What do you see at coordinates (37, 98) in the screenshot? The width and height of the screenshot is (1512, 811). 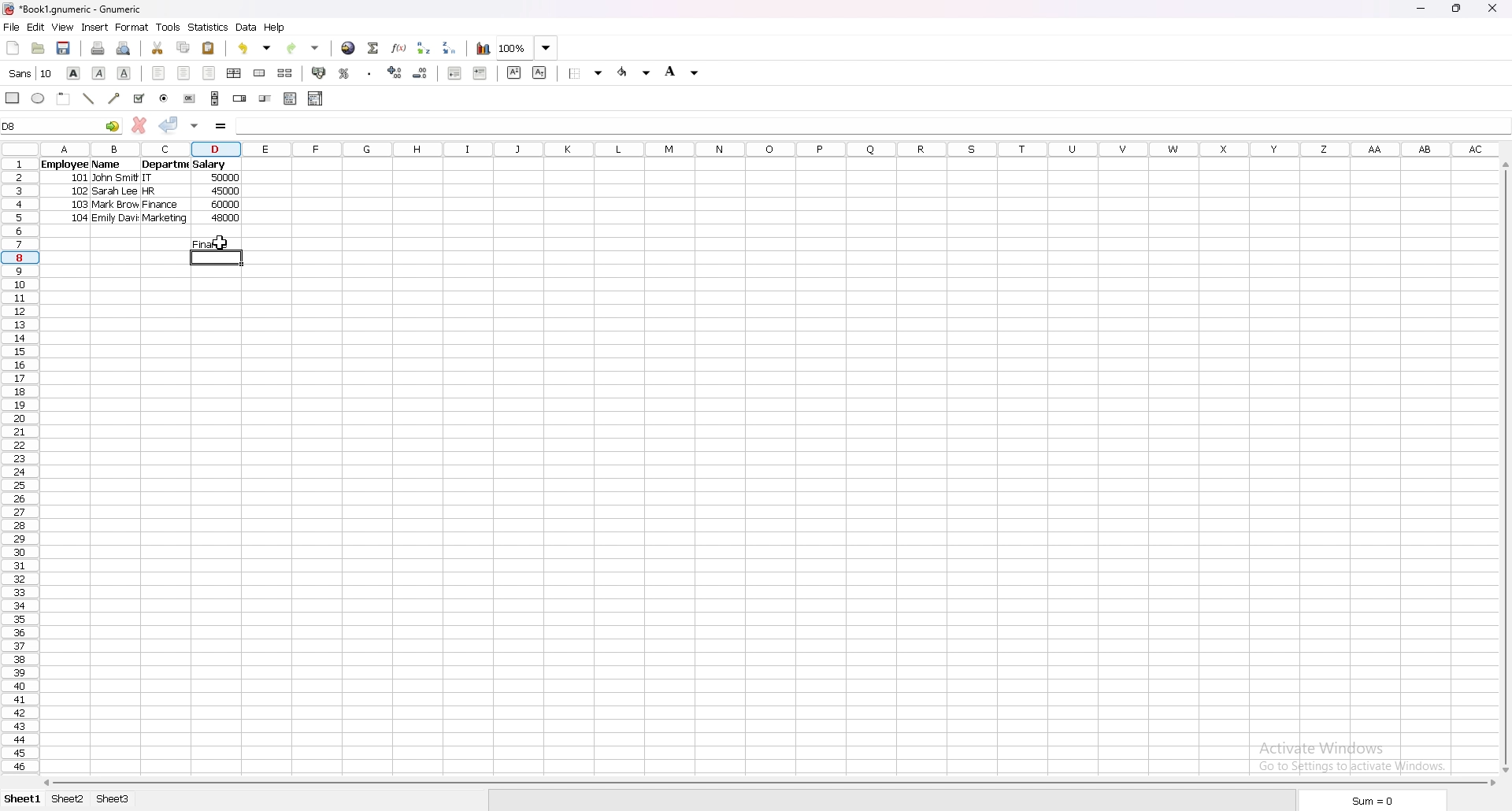 I see `ellipse` at bounding box center [37, 98].